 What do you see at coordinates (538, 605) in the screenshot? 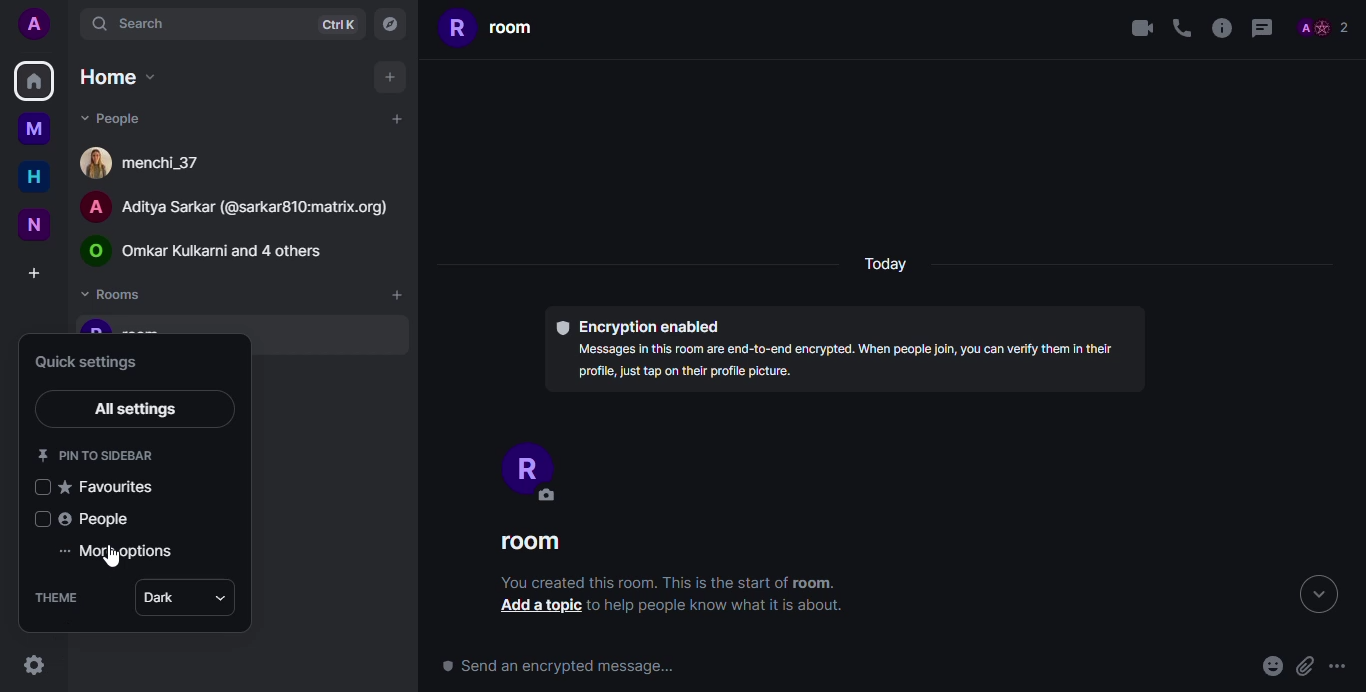
I see `add a topic` at bounding box center [538, 605].